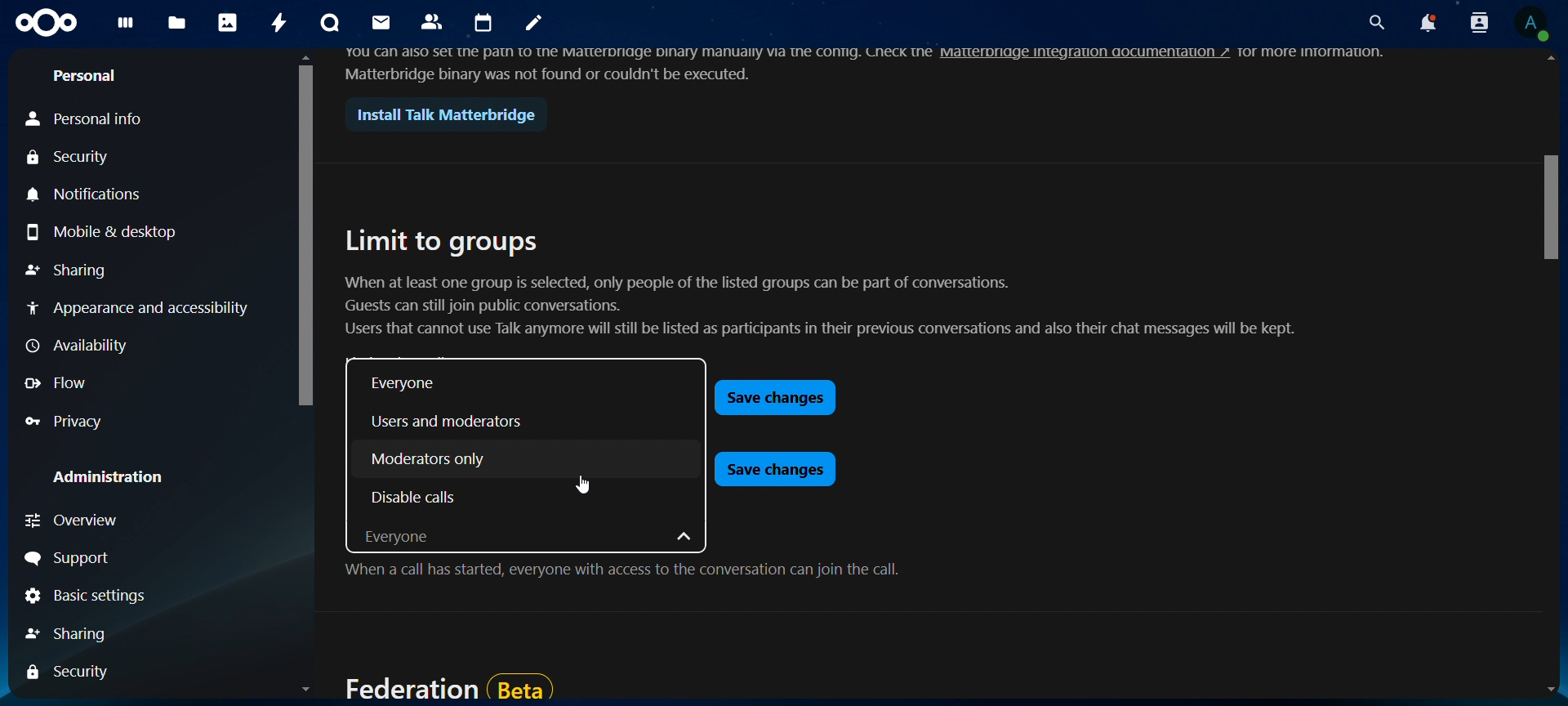 This screenshot has height=706, width=1568. What do you see at coordinates (550, 74) in the screenshot?
I see `Matterbridge binary was not found or couldn't be executed.` at bounding box center [550, 74].